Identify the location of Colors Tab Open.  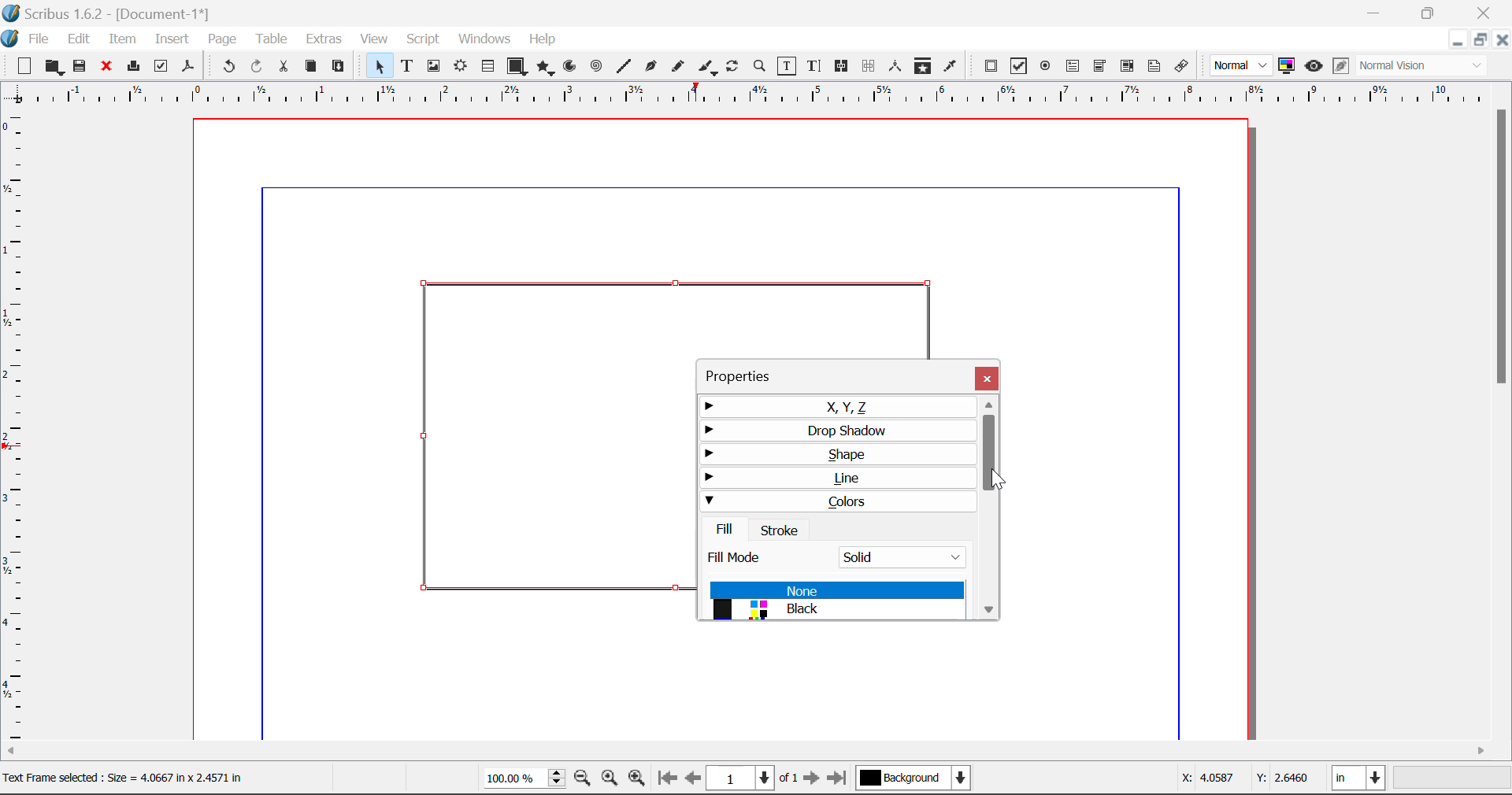
(840, 501).